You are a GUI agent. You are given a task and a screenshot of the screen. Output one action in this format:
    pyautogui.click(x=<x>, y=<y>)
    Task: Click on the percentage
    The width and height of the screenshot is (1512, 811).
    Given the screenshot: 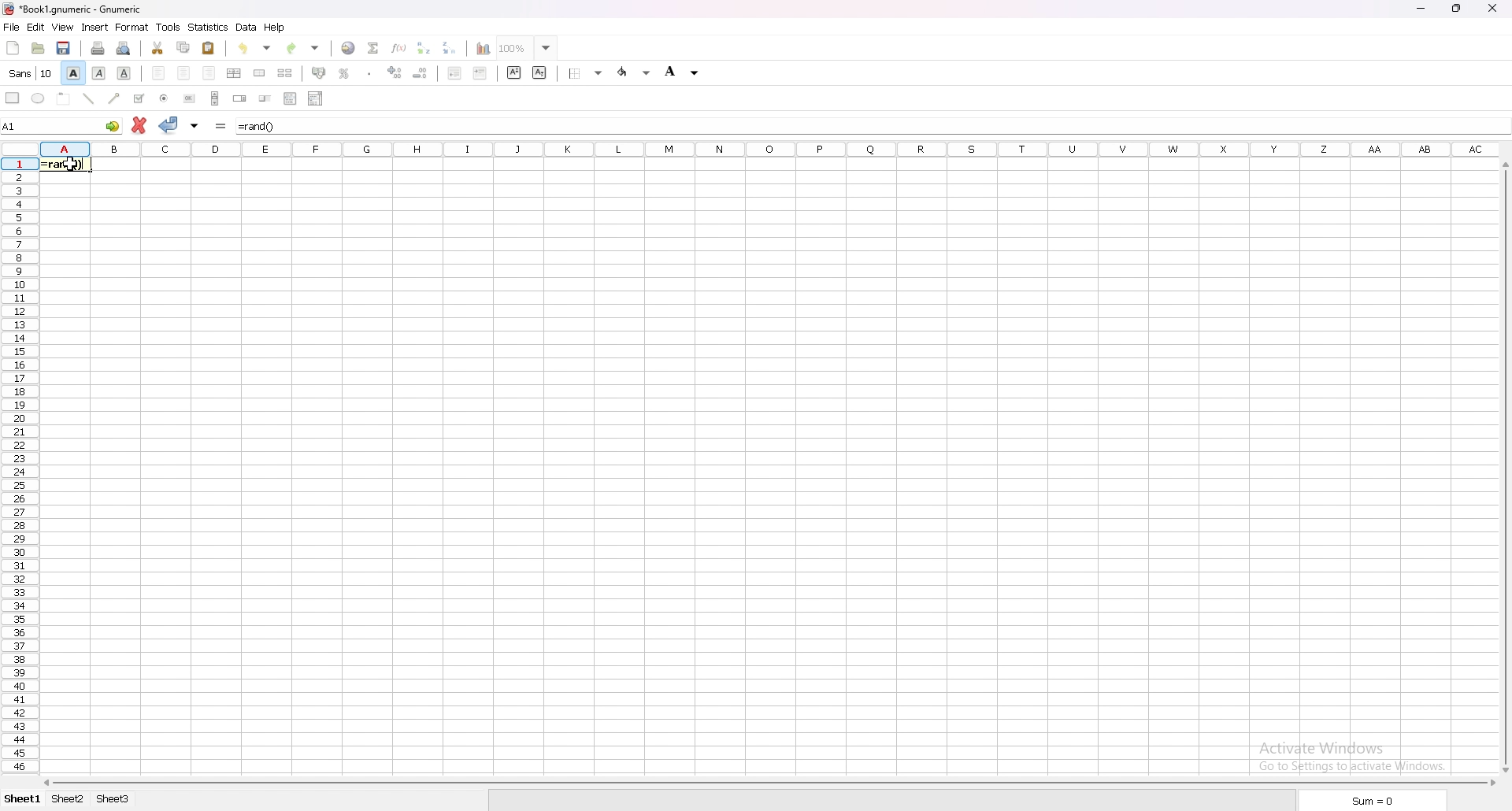 What is the action you would take?
    pyautogui.click(x=344, y=73)
    